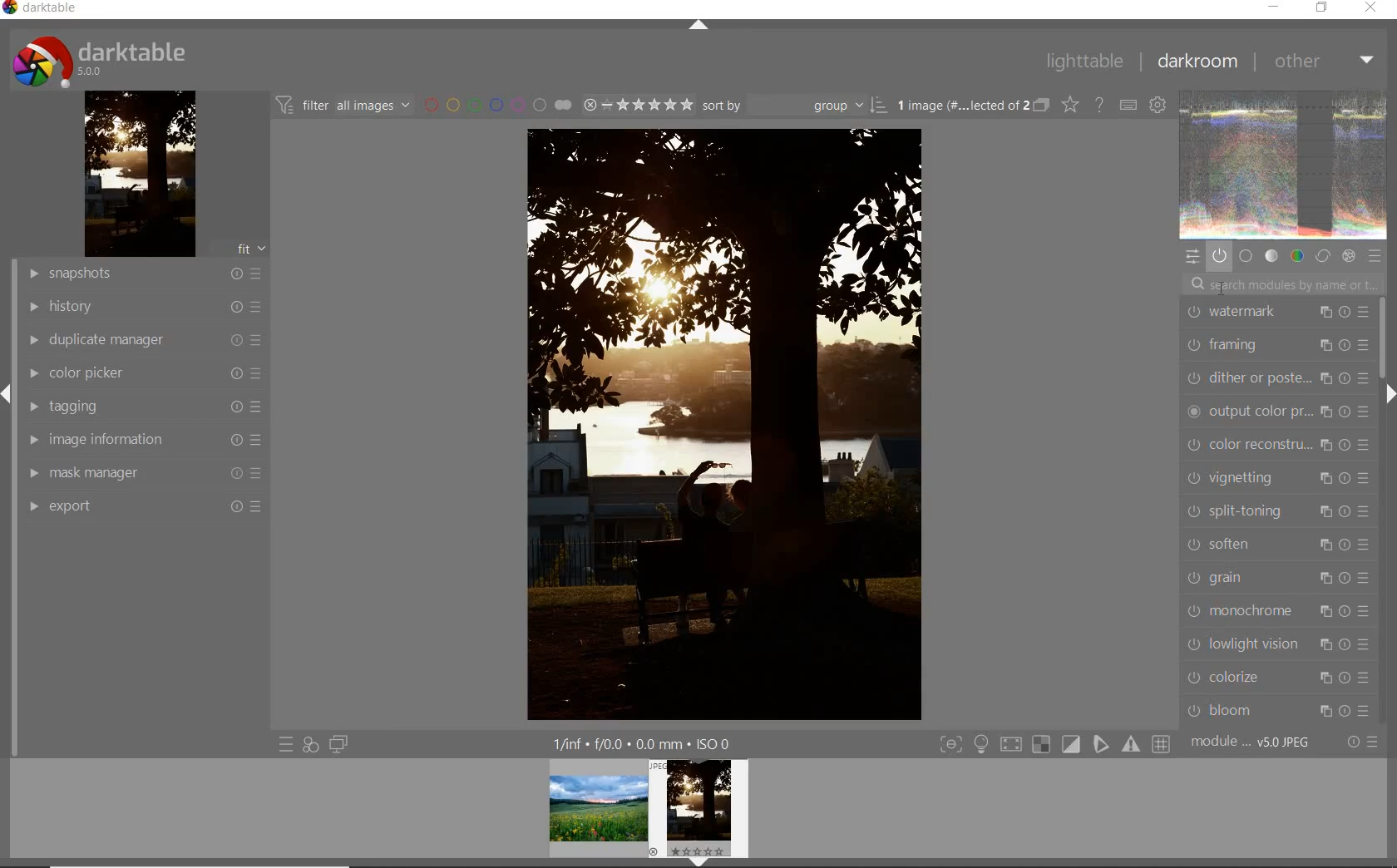  What do you see at coordinates (638, 106) in the screenshot?
I see `selected Image range rating` at bounding box center [638, 106].